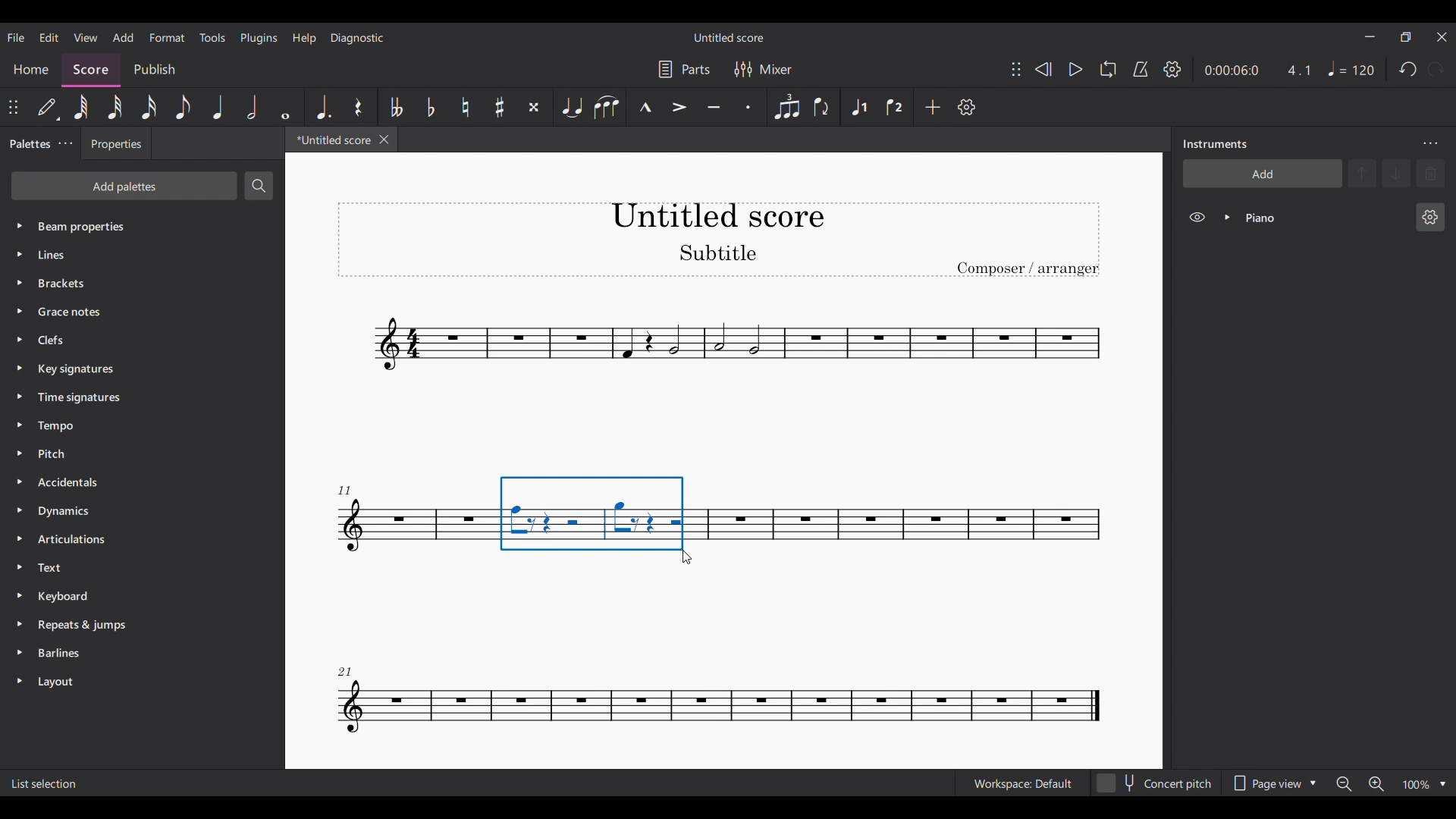  I want to click on Tenuto, so click(714, 107).